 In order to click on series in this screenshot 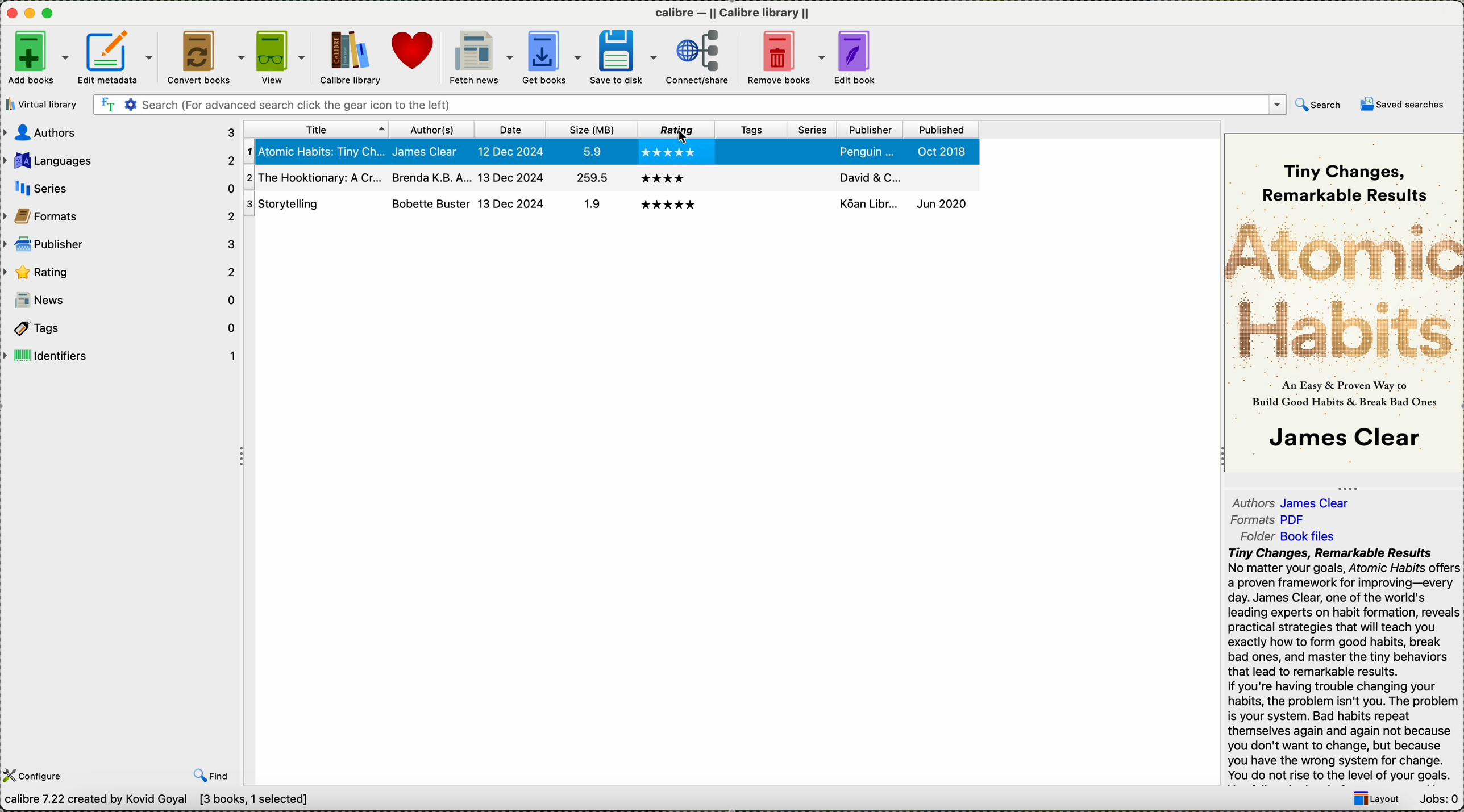, I will do `click(814, 151)`.